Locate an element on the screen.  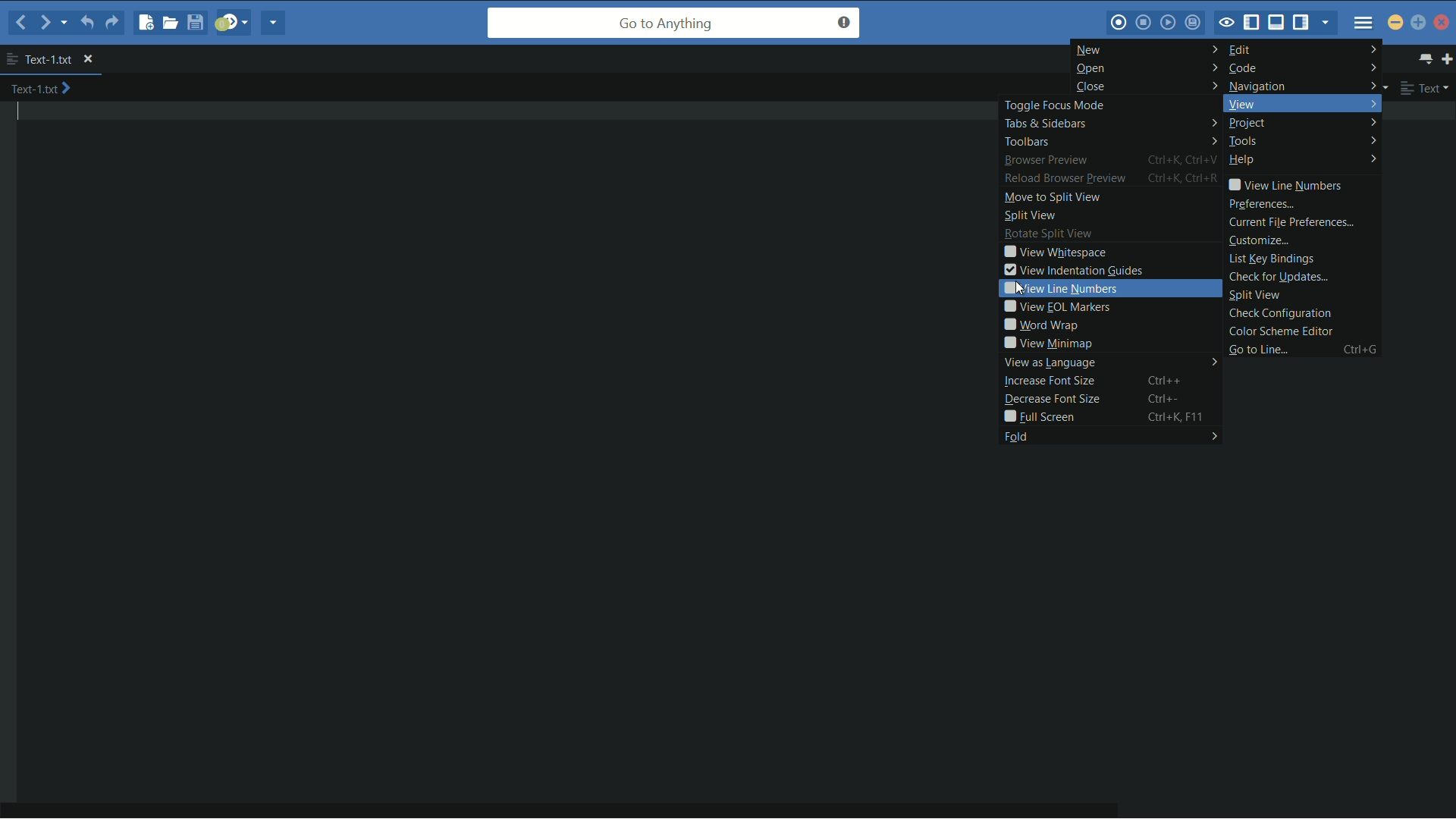
toolbars is located at coordinates (1108, 140).